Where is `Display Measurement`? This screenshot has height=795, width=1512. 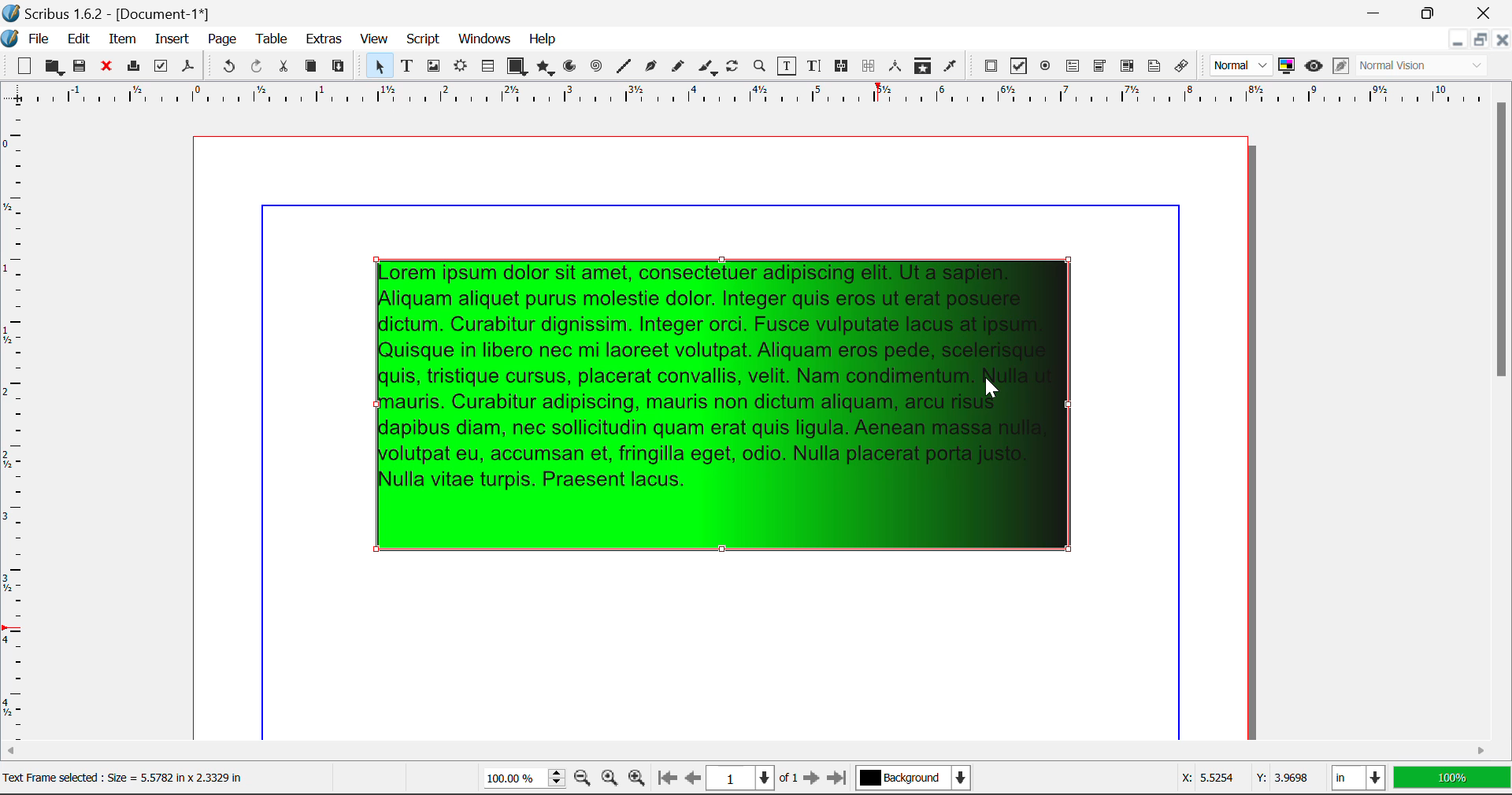 Display Measurement is located at coordinates (1452, 780).